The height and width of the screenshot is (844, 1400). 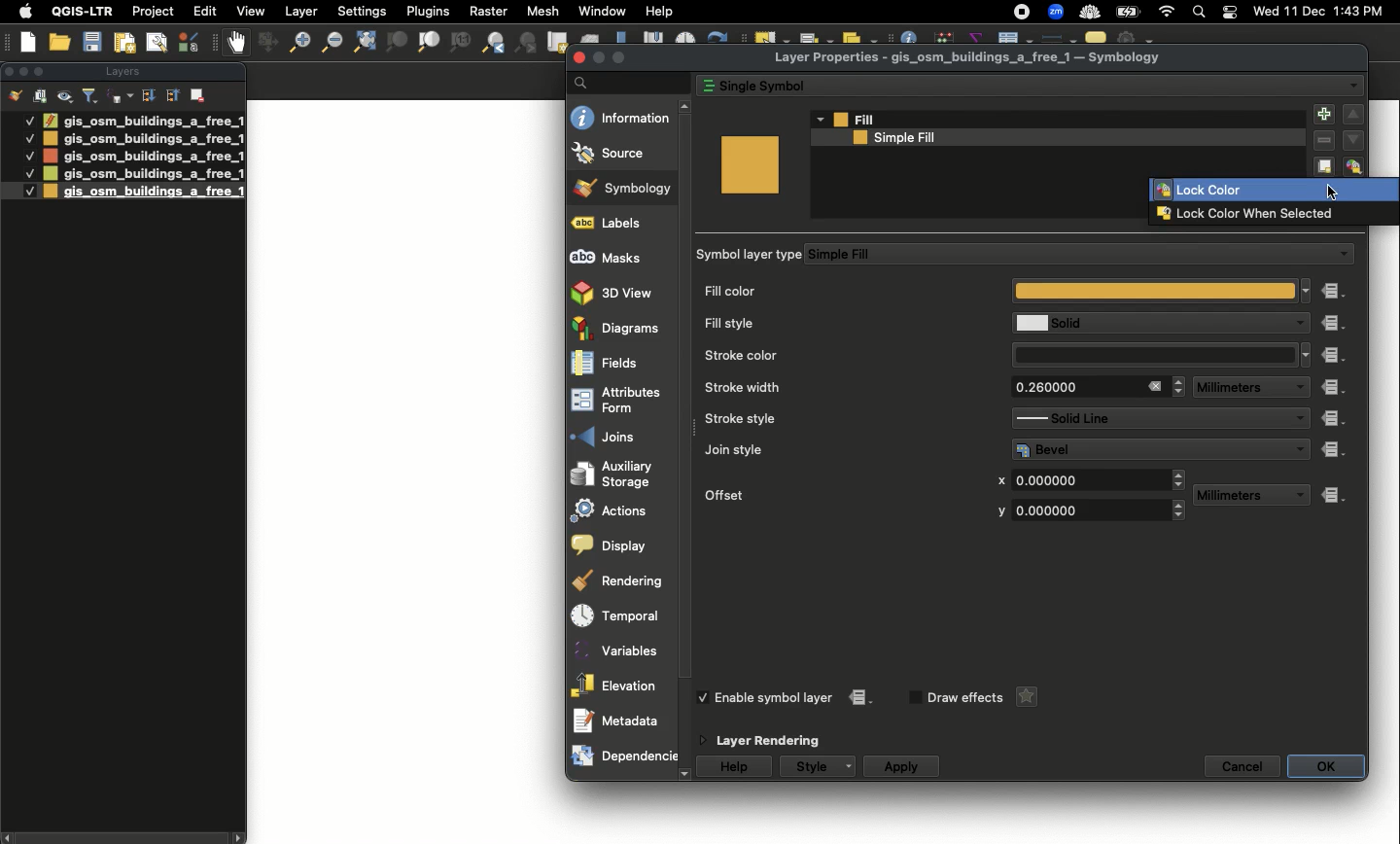 I want to click on 3D view, so click(x=617, y=292).